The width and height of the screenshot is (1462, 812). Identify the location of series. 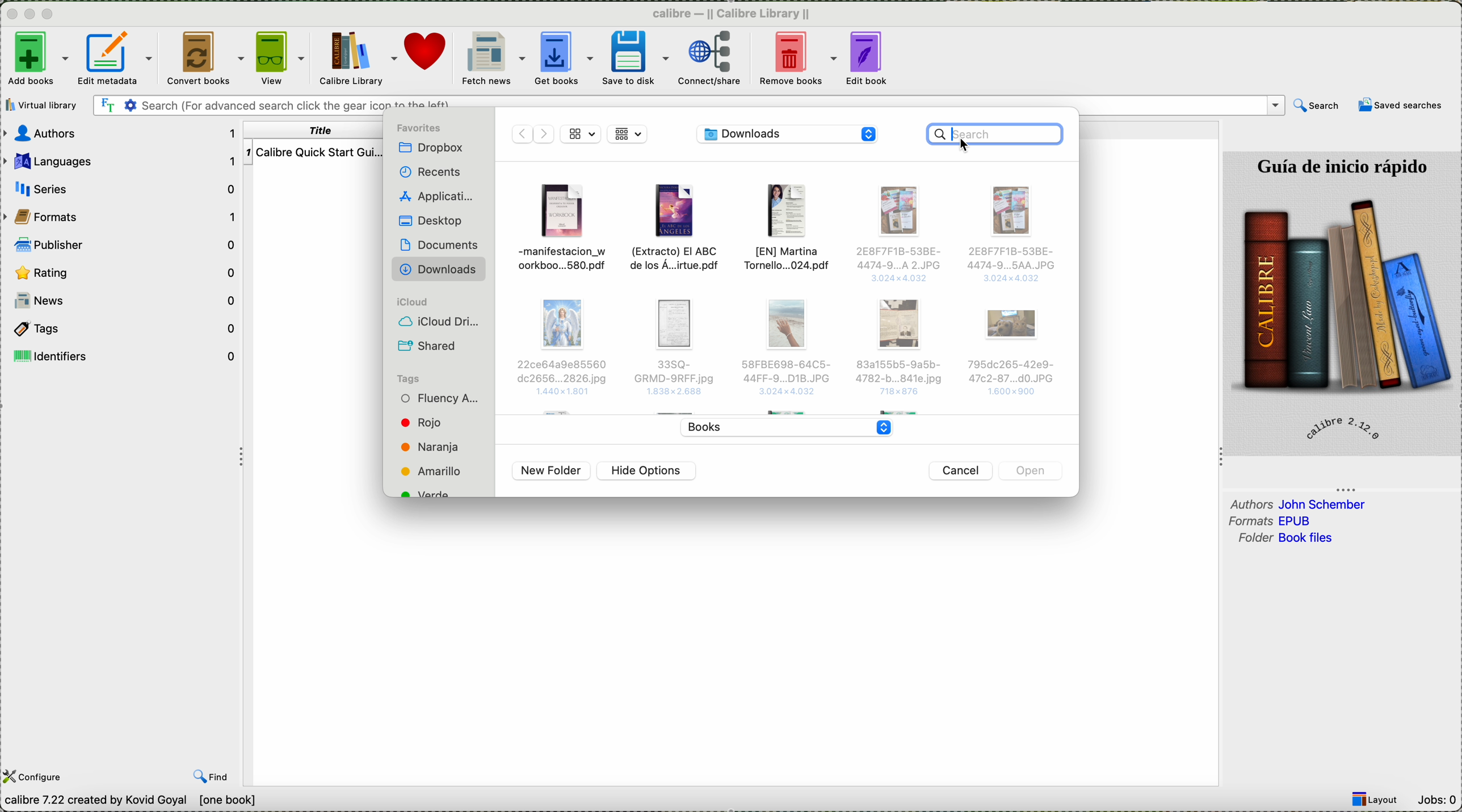
(123, 188).